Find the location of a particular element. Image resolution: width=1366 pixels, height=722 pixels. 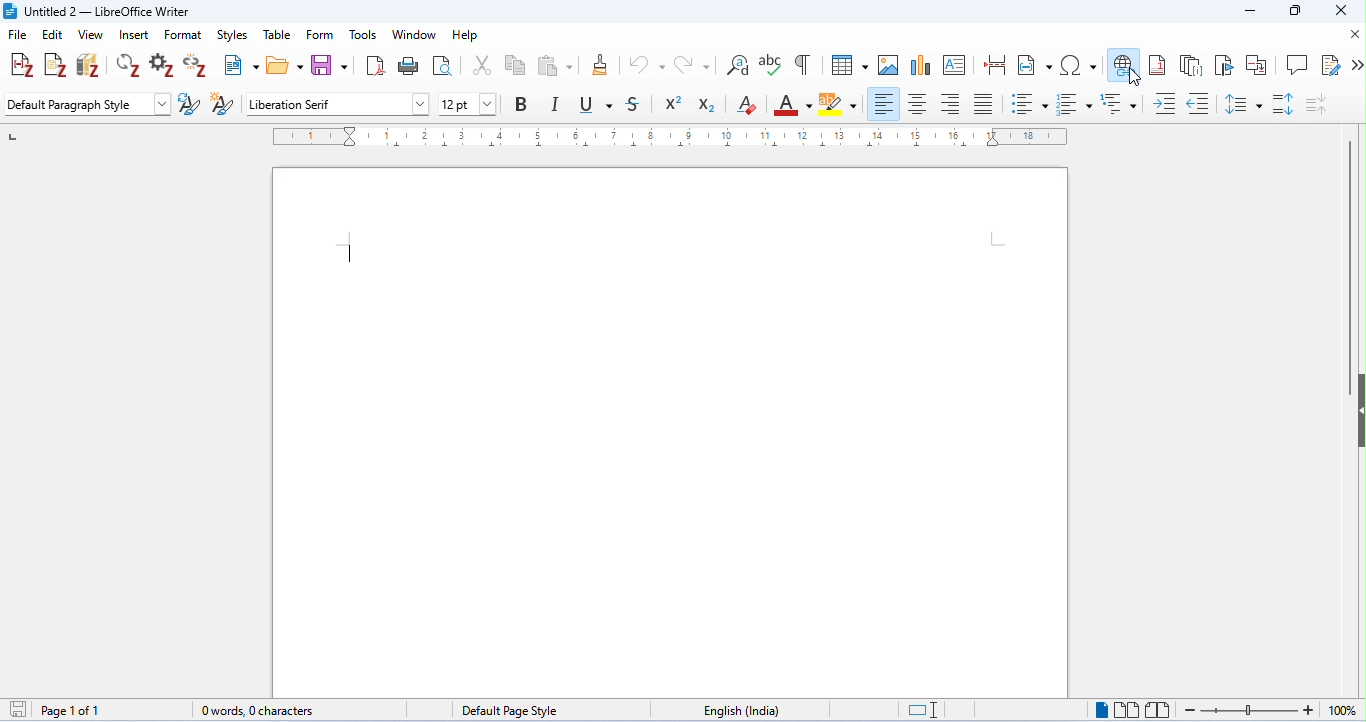

paragraph spacing is located at coordinates (1285, 104).